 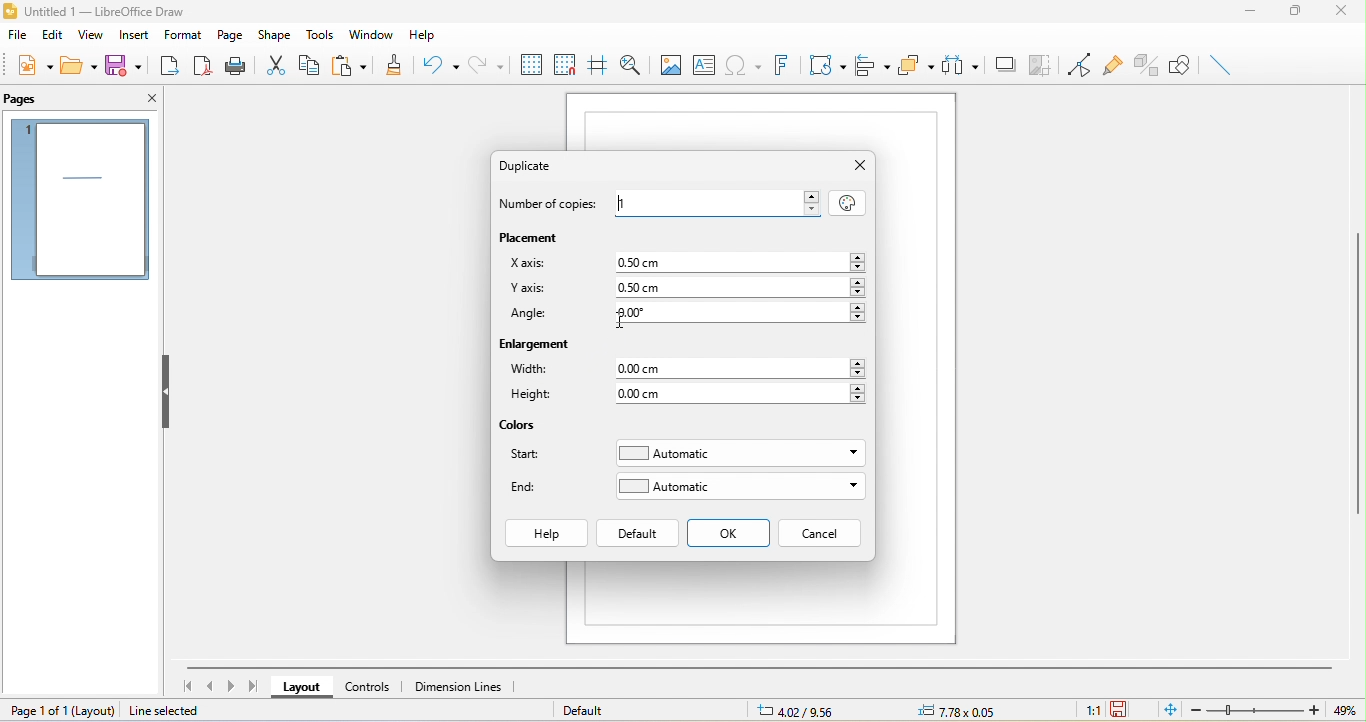 What do you see at coordinates (238, 68) in the screenshot?
I see `print` at bounding box center [238, 68].